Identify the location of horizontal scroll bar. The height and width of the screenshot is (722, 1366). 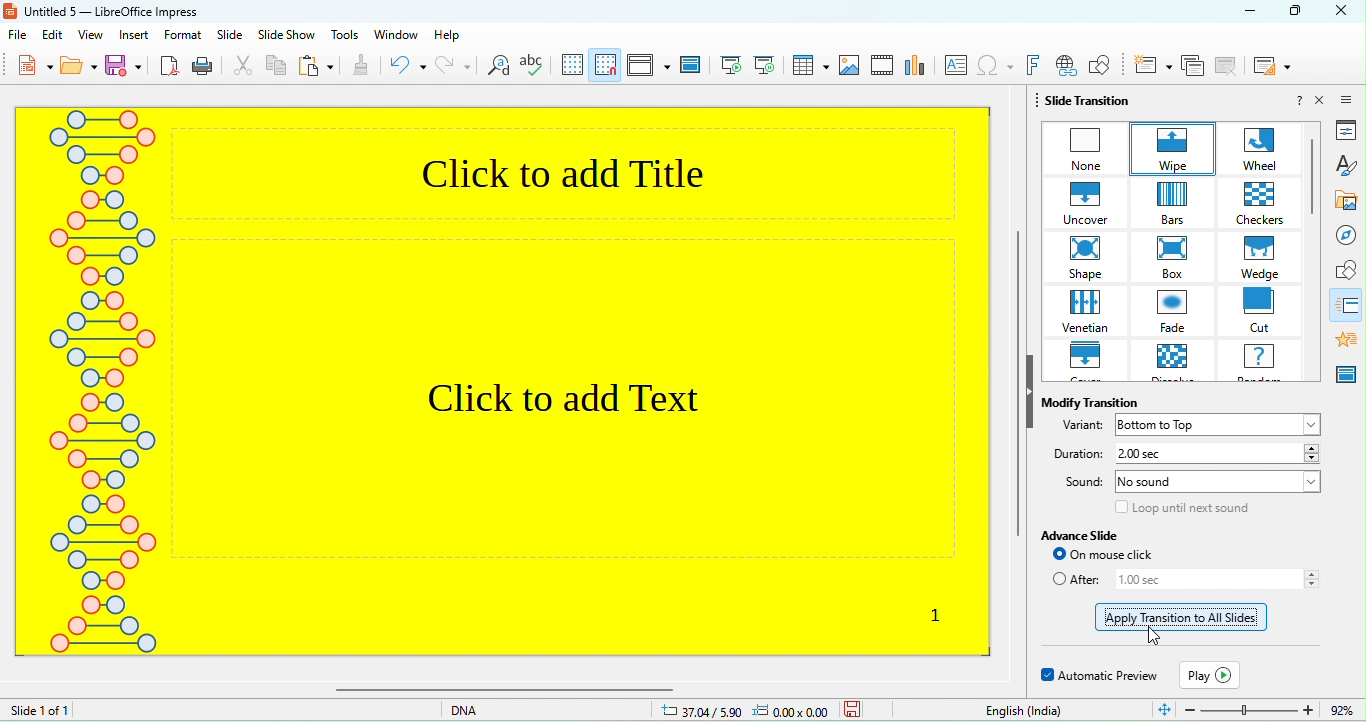
(661, 691).